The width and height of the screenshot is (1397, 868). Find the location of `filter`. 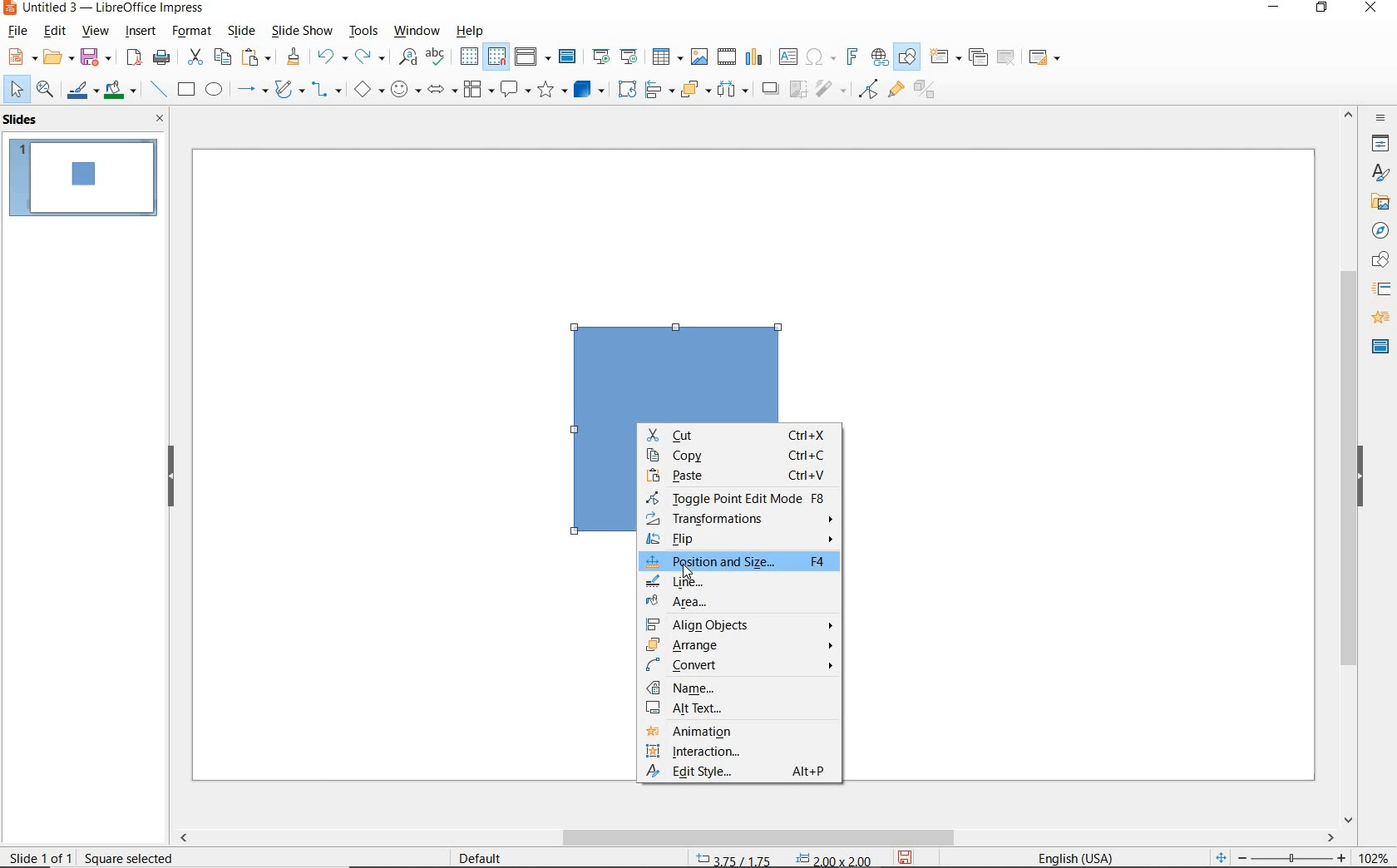

filter is located at coordinates (832, 91).